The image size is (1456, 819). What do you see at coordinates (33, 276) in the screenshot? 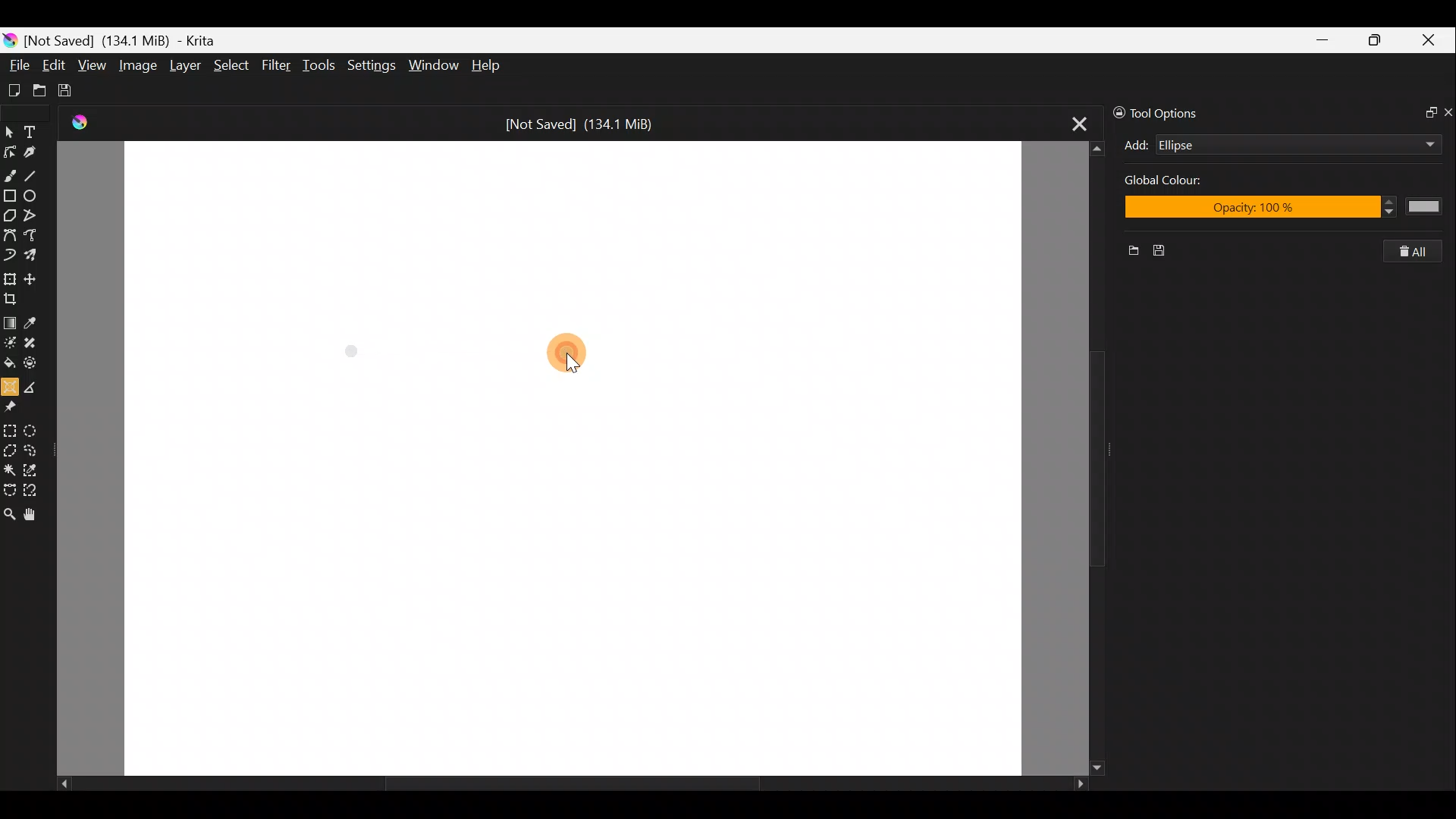
I see `Move a layer` at bounding box center [33, 276].